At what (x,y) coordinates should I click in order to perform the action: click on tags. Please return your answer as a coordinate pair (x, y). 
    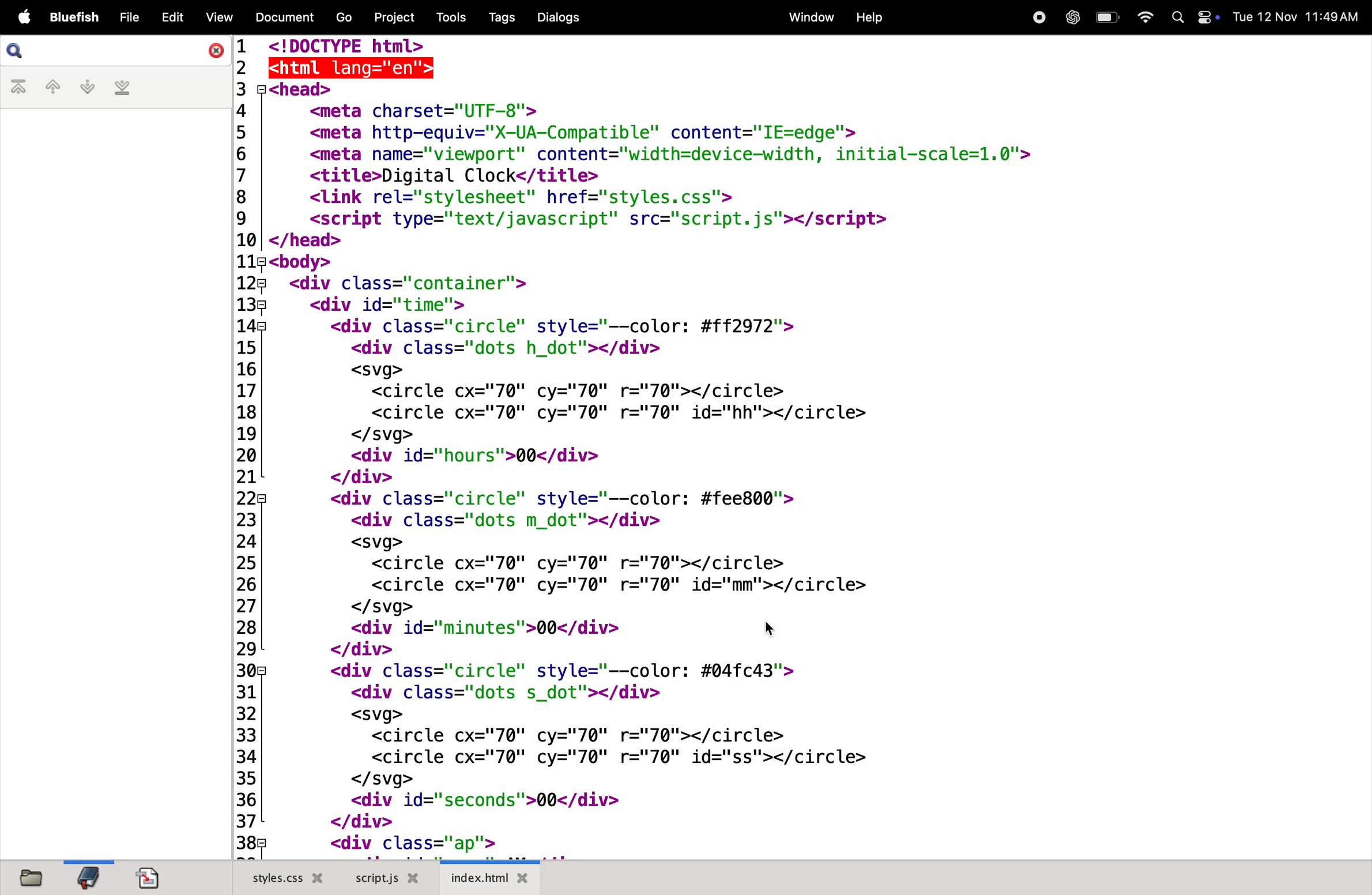
    Looking at the image, I should click on (504, 17).